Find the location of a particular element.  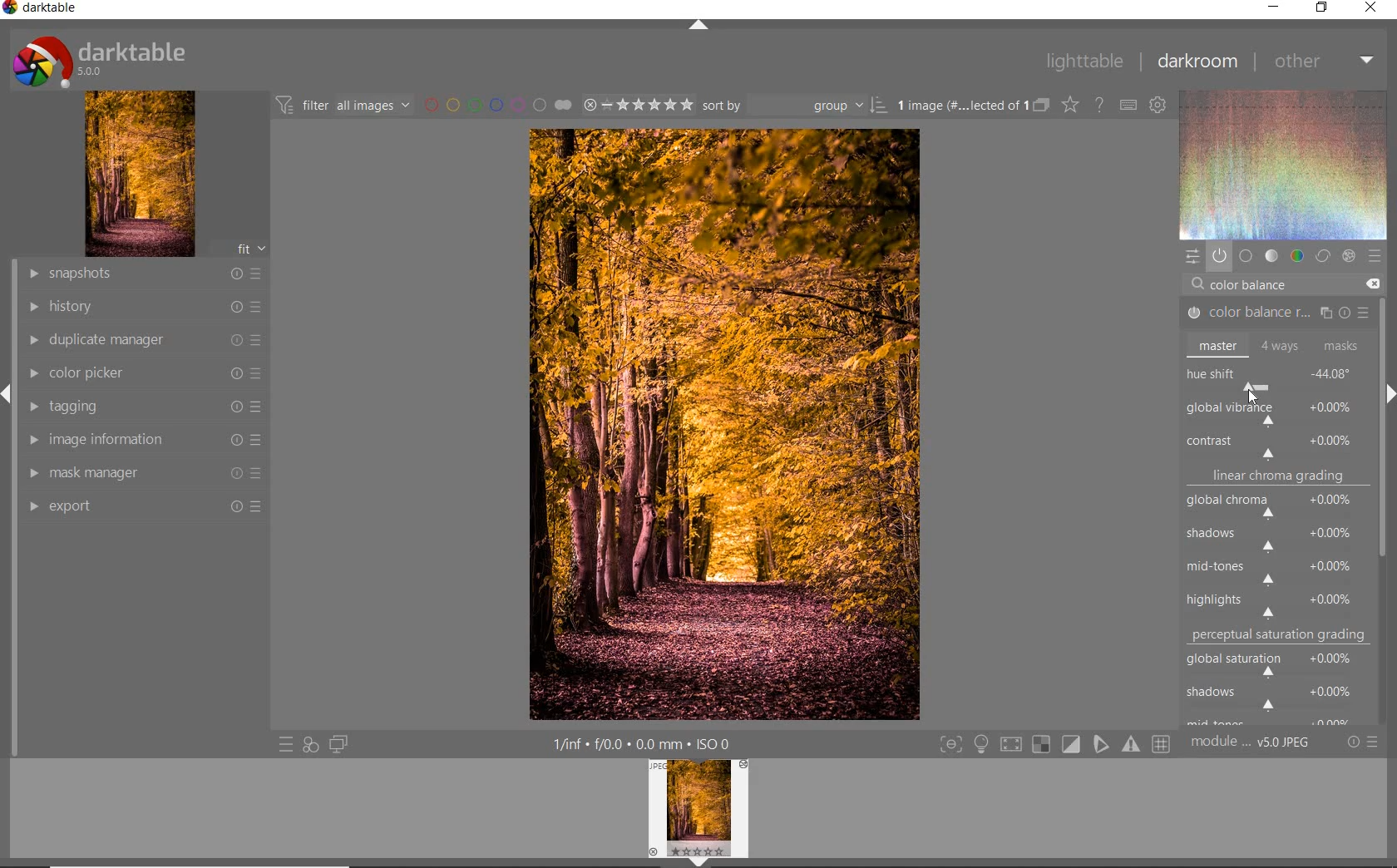

mid-tones is located at coordinates (1274, 570).